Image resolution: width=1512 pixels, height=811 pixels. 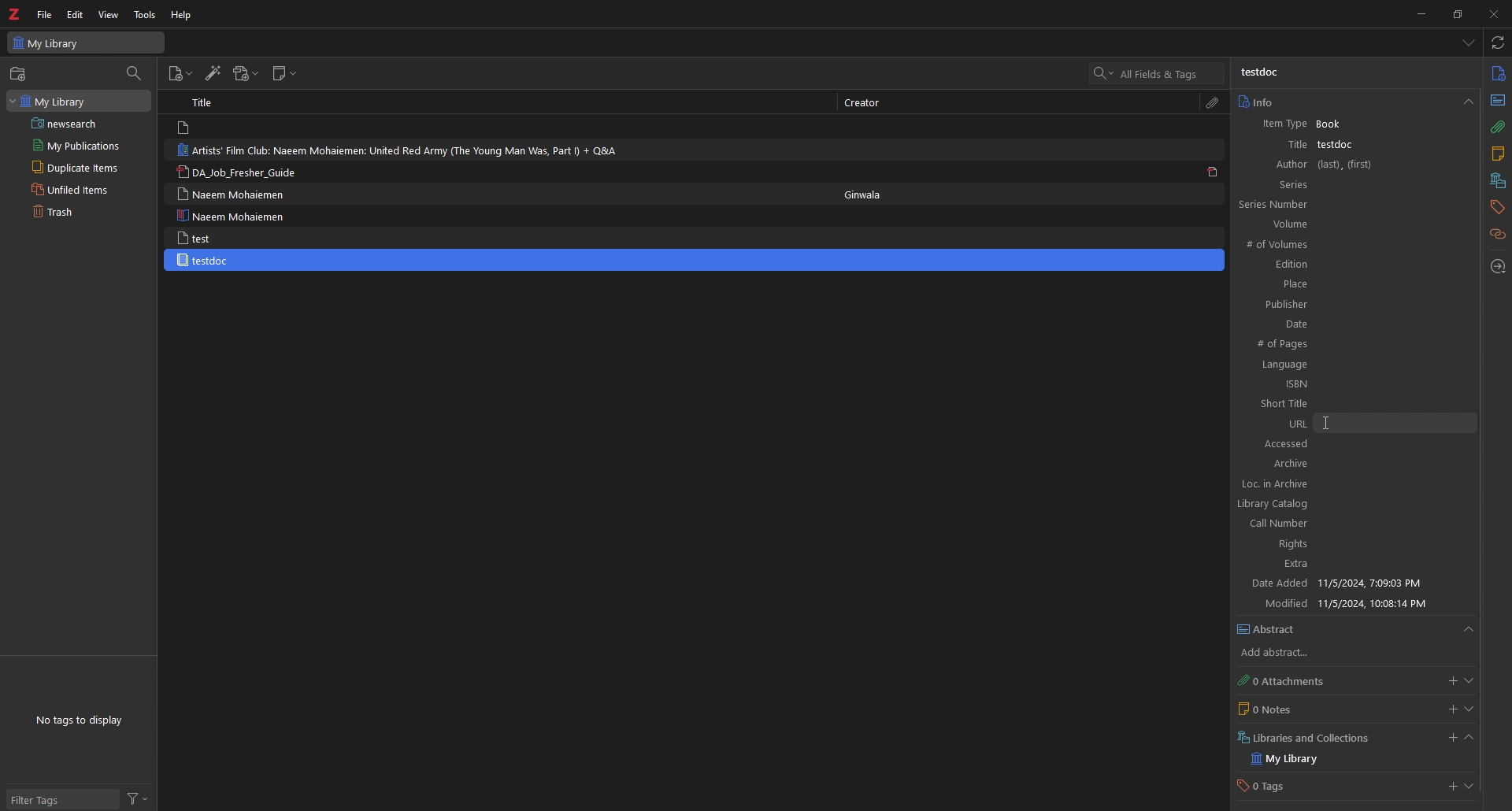 What do you see at coordinates (86, 43) in the screenshot?
I see `My Library` at bounding box center [86, 43].